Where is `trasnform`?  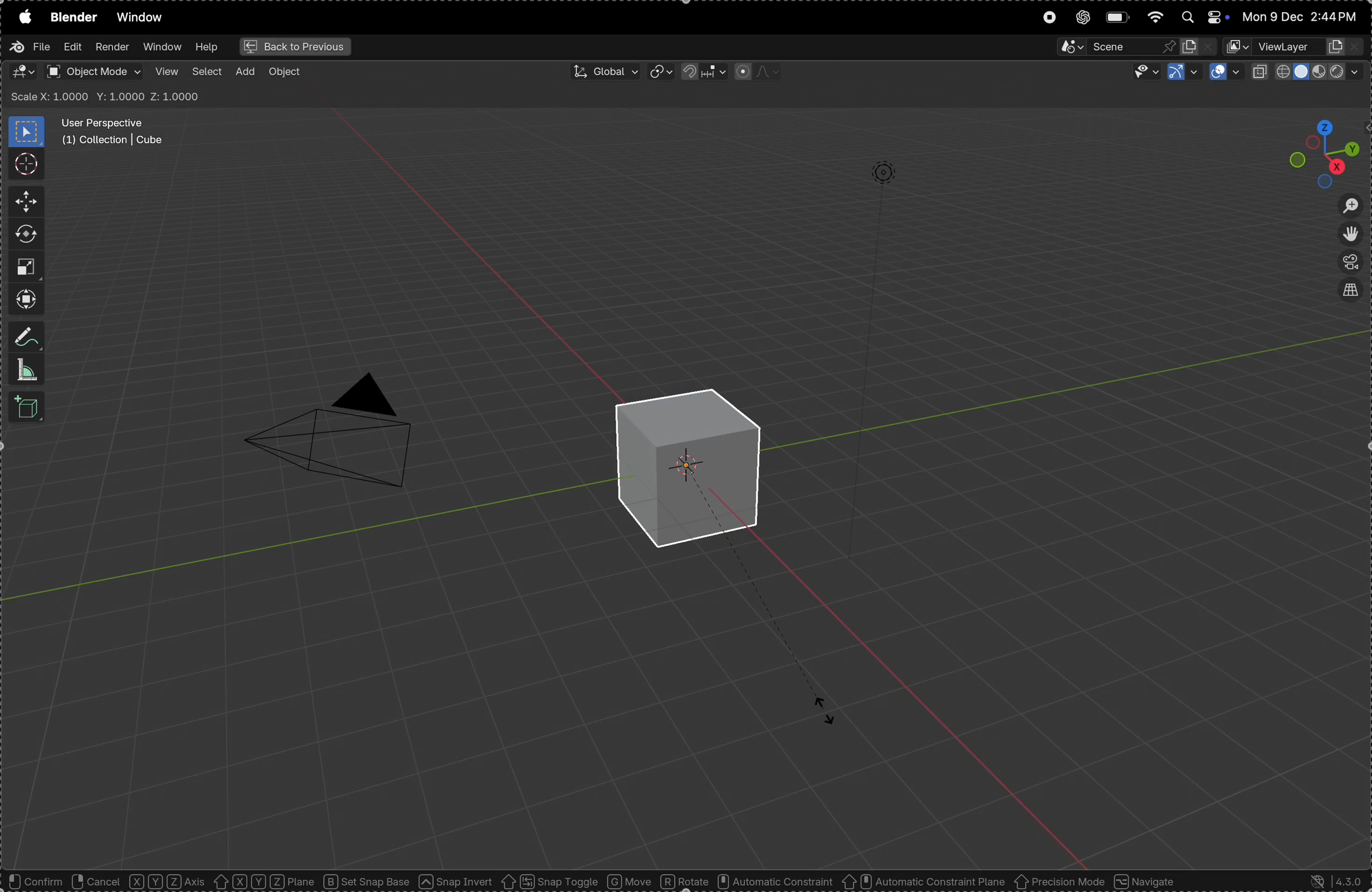 trasnform is located at coordinates (22, 299).